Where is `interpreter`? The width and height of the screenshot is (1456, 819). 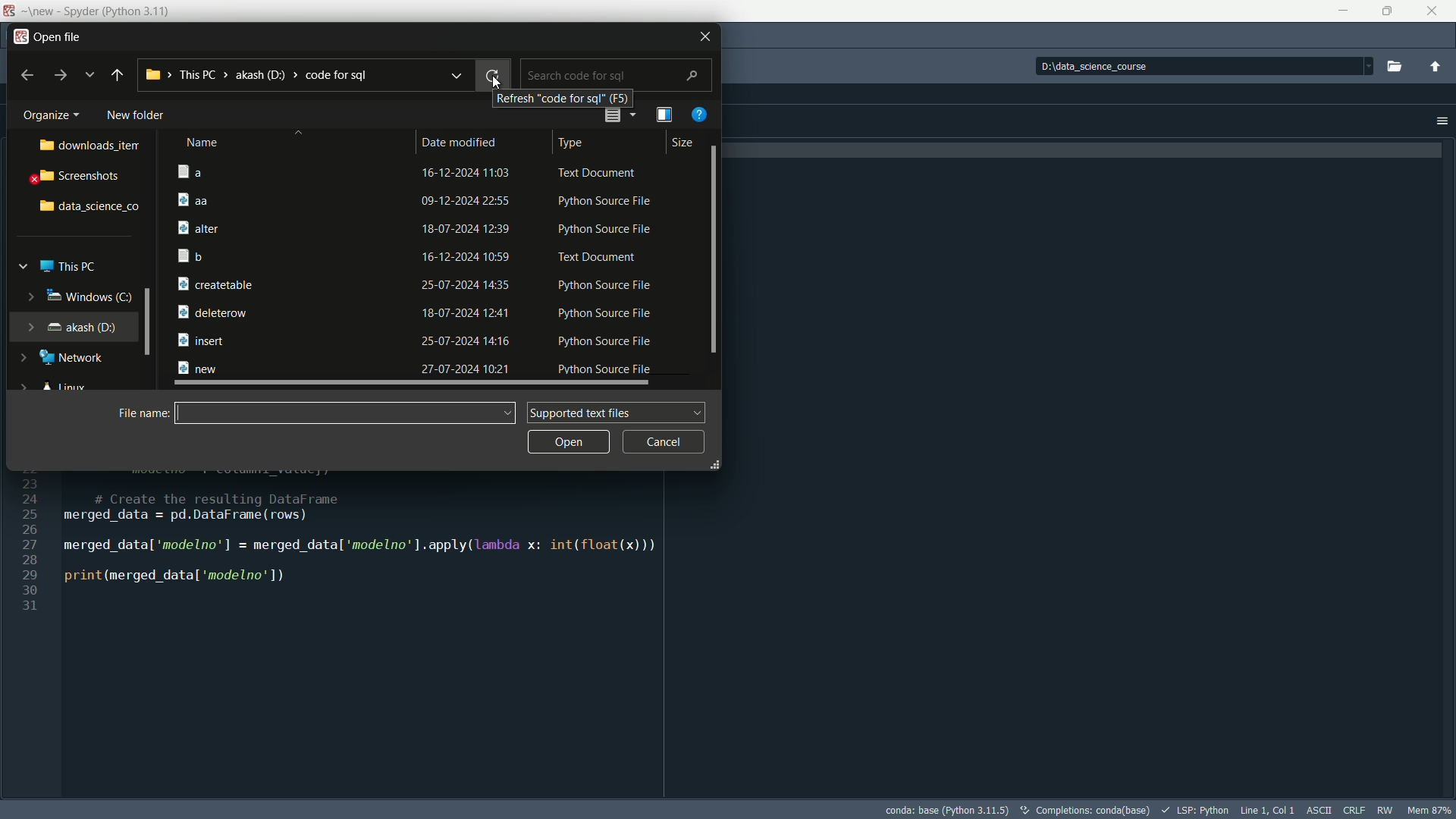 interpreter is located at coordinates (946, 811).